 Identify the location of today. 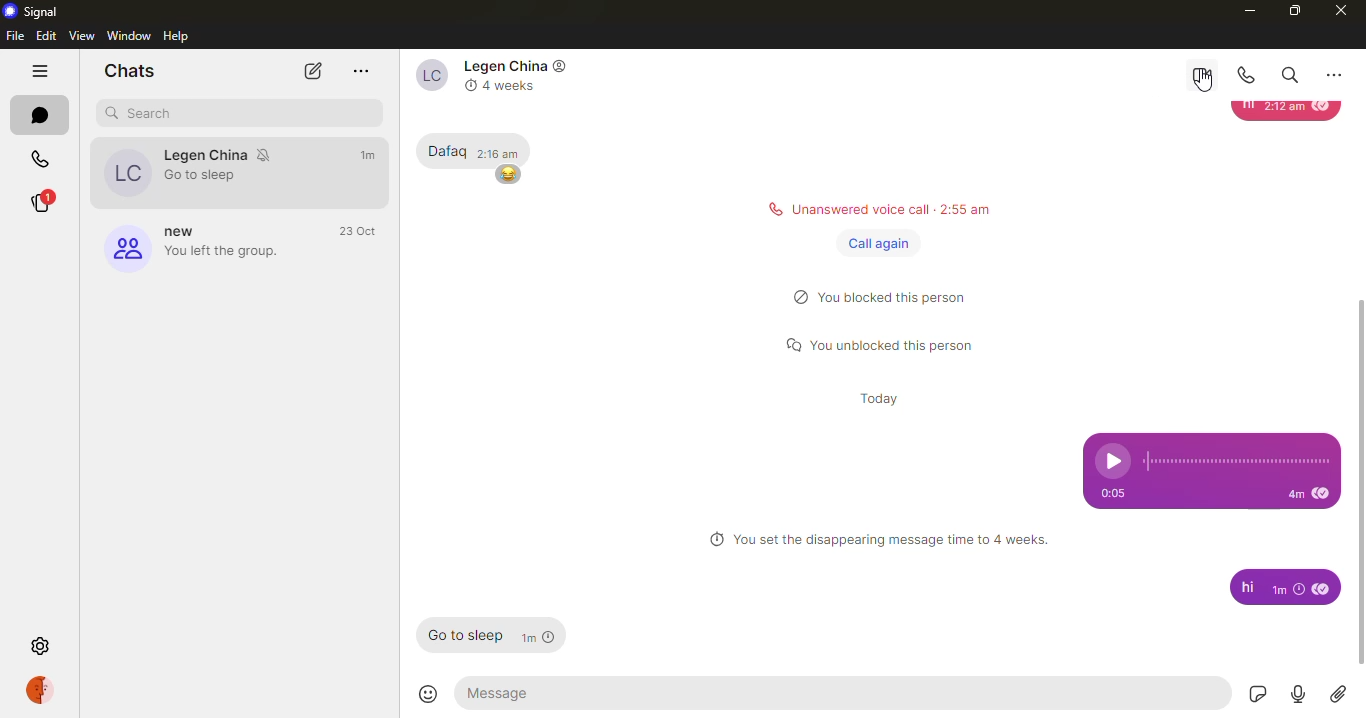
(880, 397).